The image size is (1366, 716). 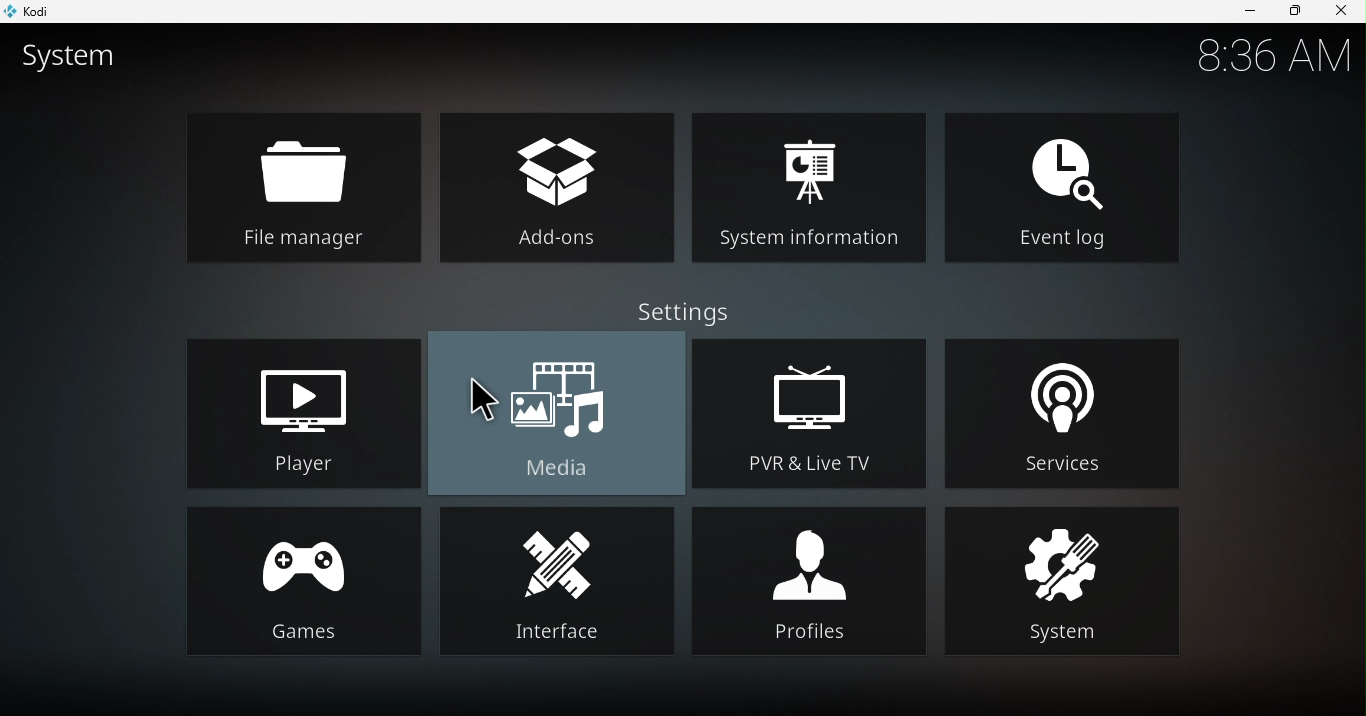 I want to click on Event log, so click(x=1057, y=184).